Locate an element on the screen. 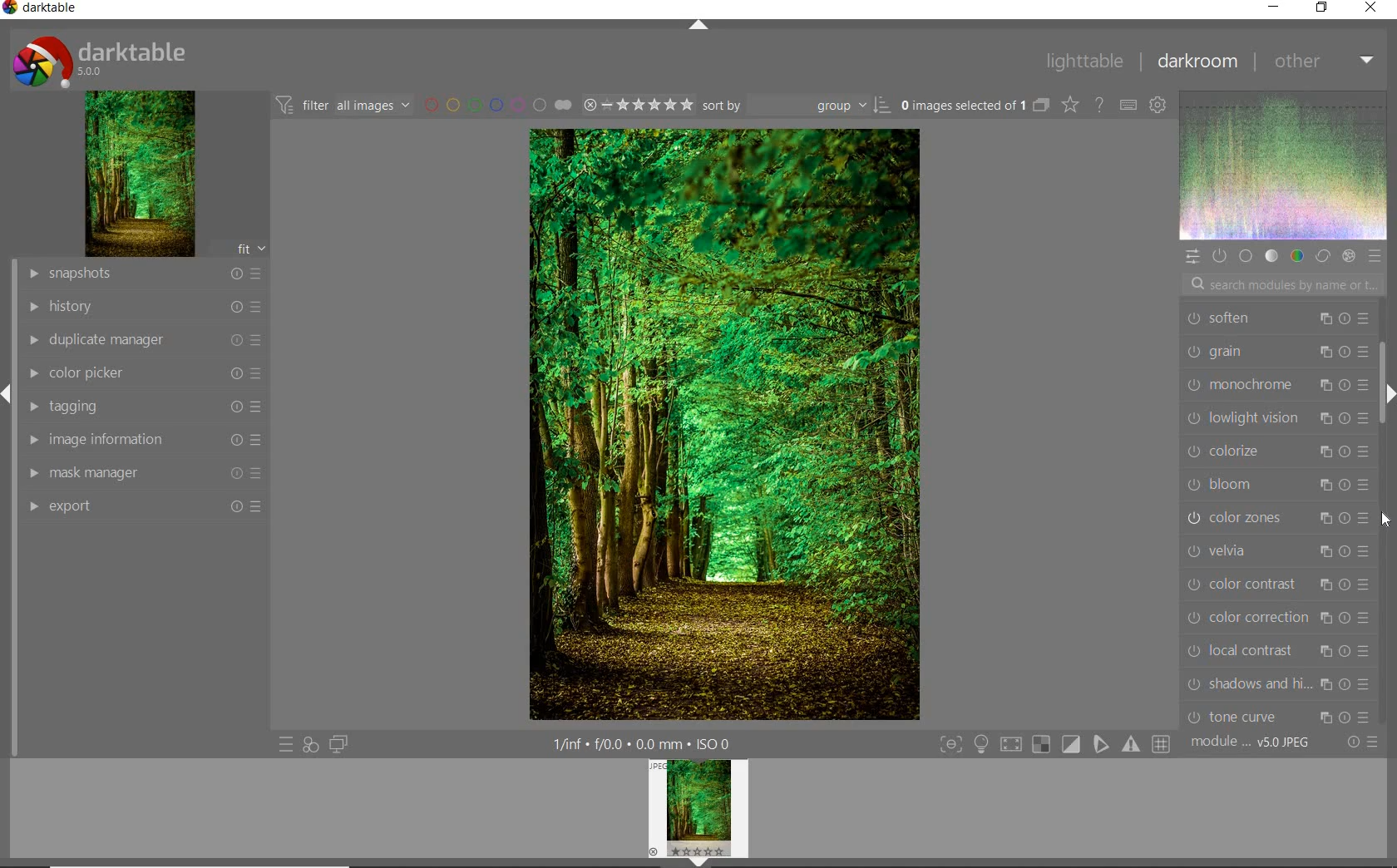 The width and height of the screenshot is (1397, 868). color zones is located at coordinates (1278, 517).